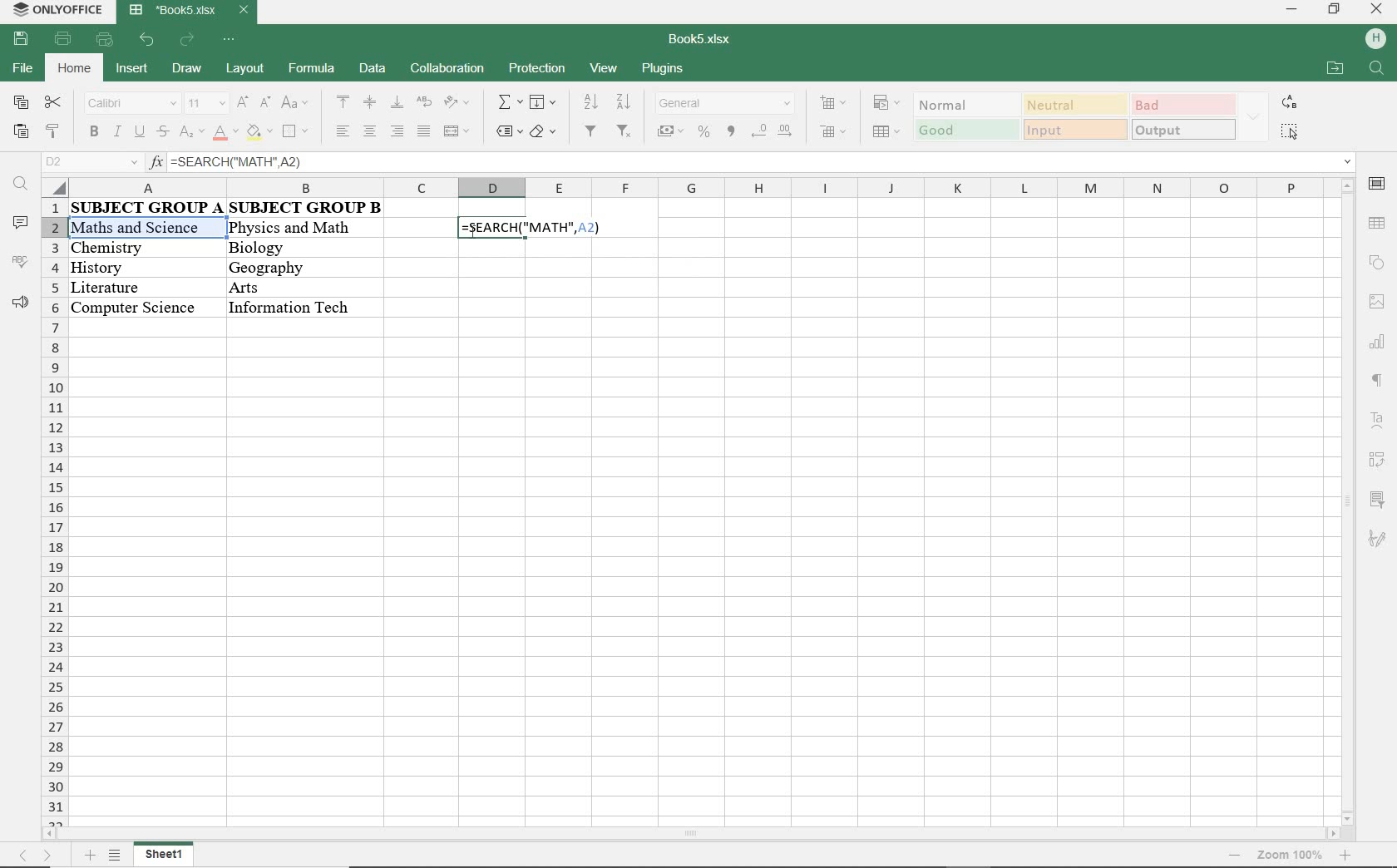  What do you see at coordinates (186, 68) in the screenshot?
I see `draw` at bounding box center [186, 68].